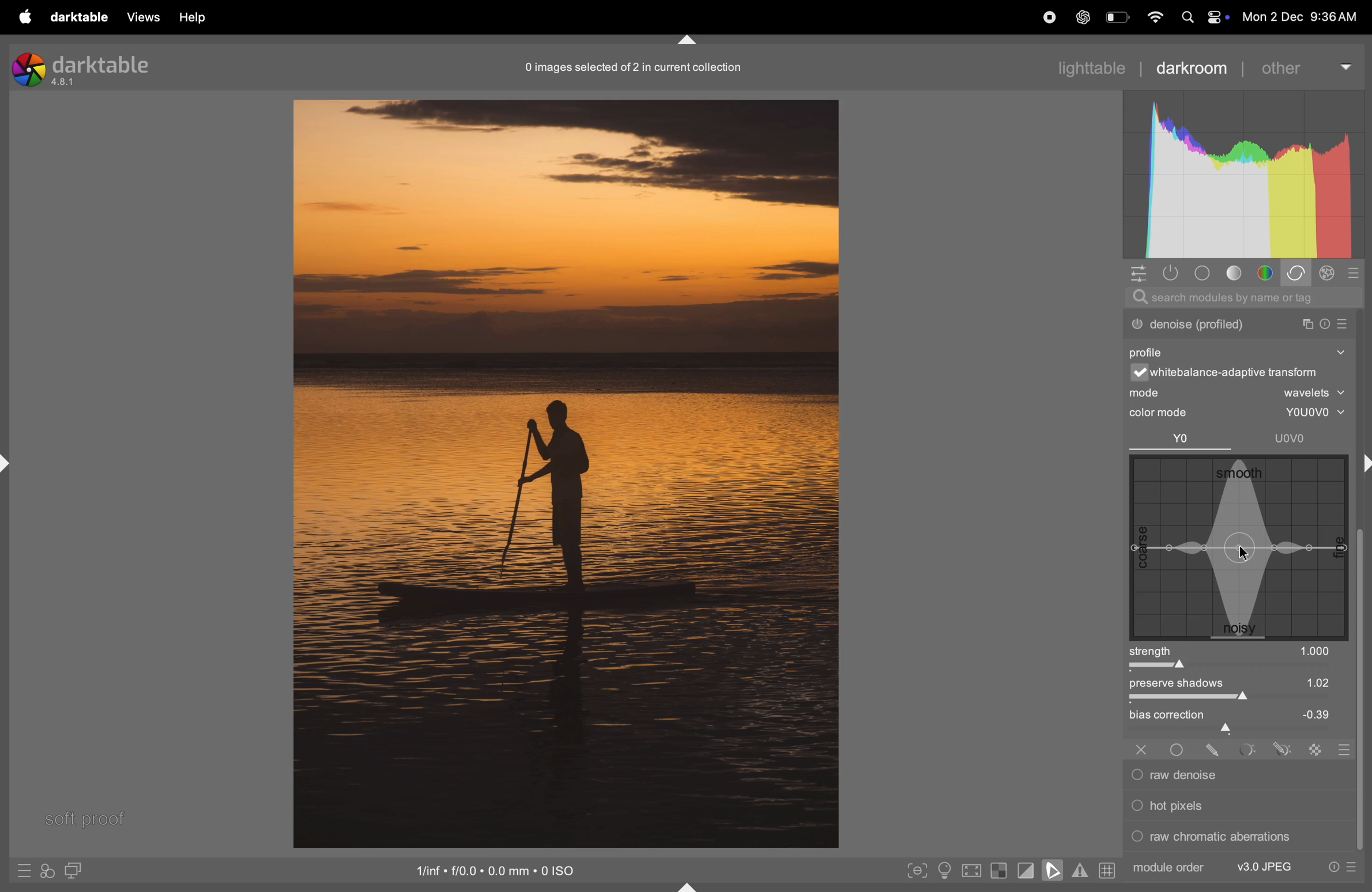  I want to click on UOvo, so click(1292, 438).